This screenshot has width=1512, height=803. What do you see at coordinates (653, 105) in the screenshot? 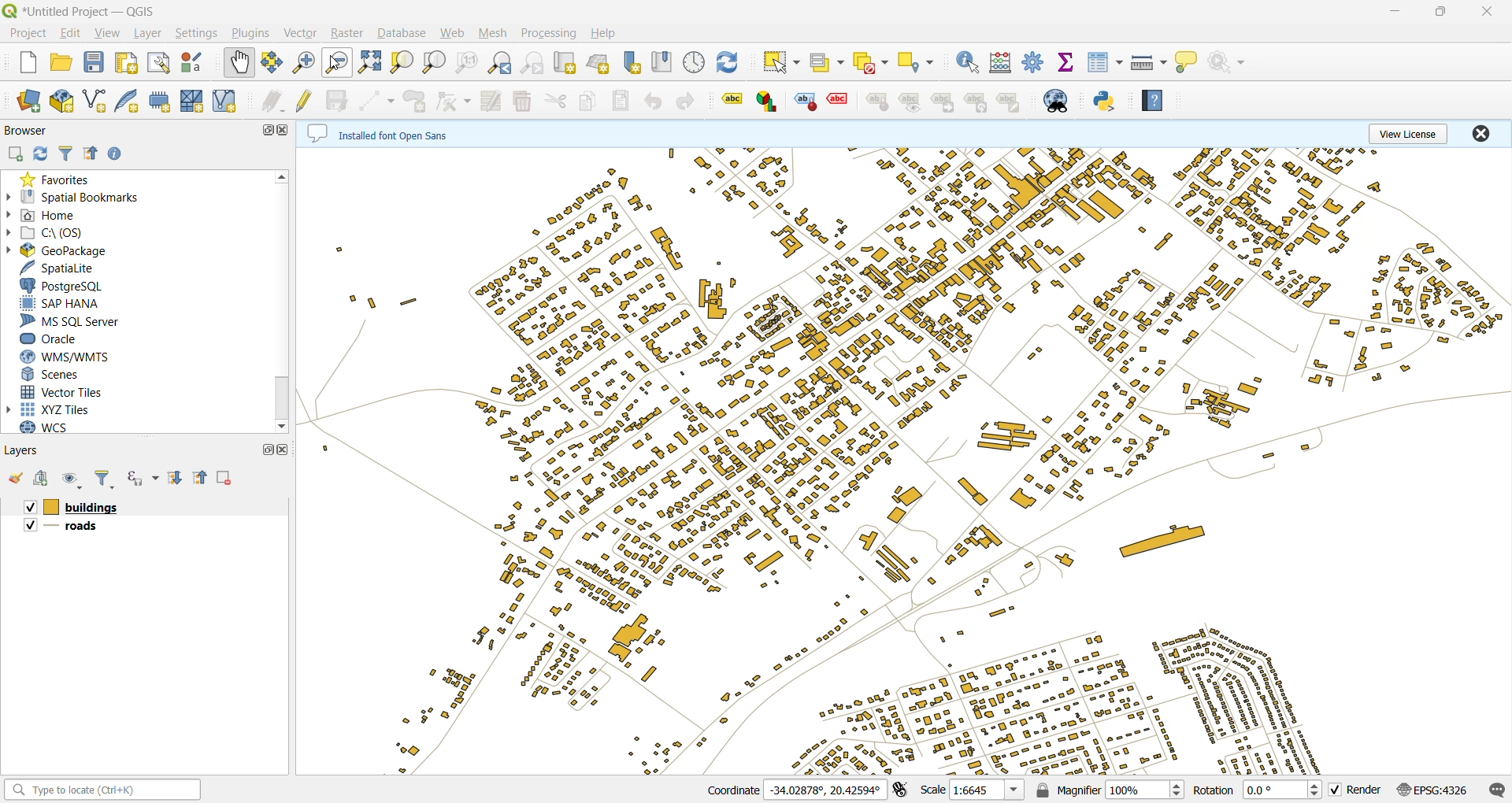
I see `undo` at bounding box center [653, 105].